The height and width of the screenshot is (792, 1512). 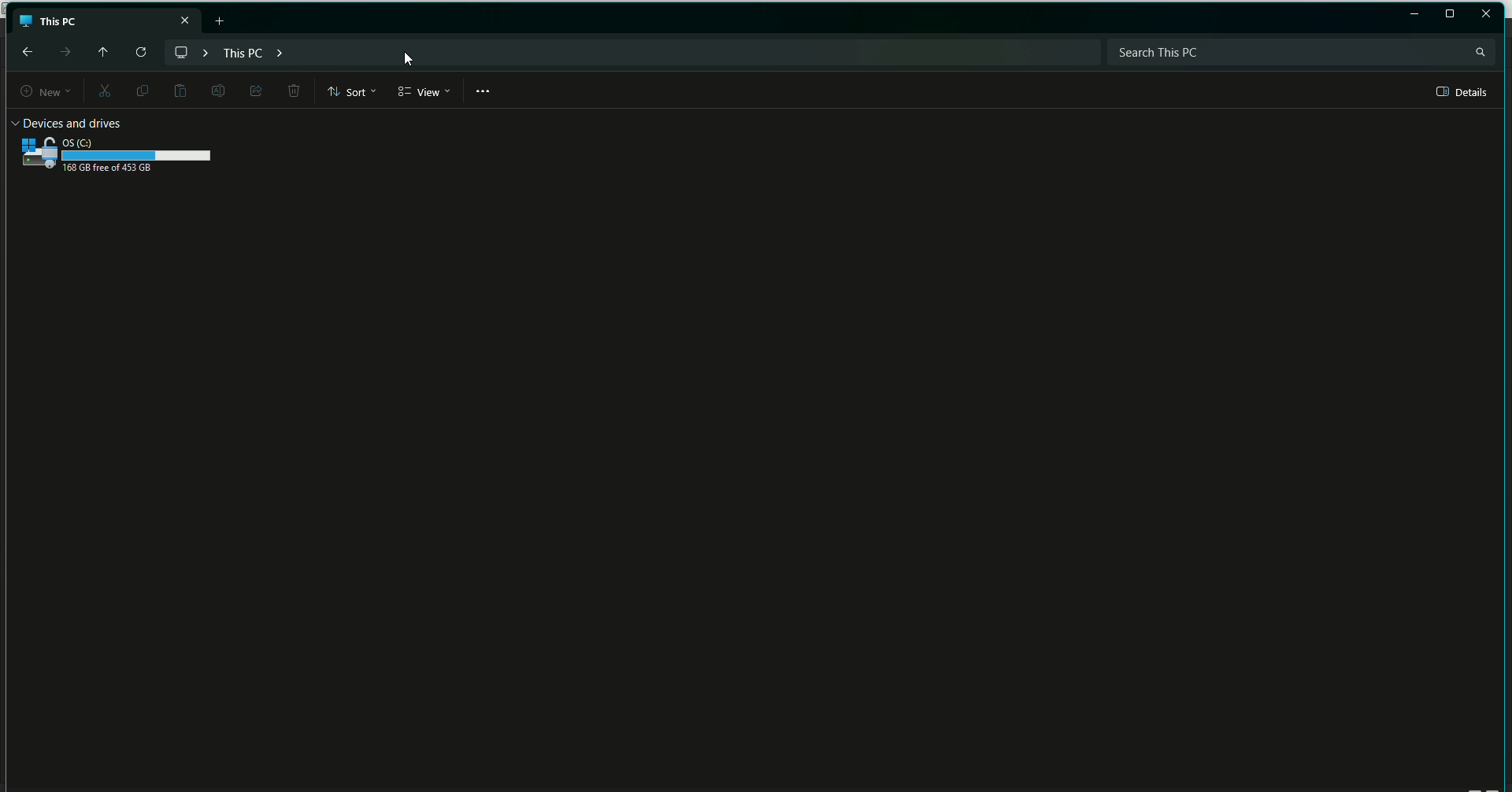 I want to click on This PC, so click(x=106, y=18).